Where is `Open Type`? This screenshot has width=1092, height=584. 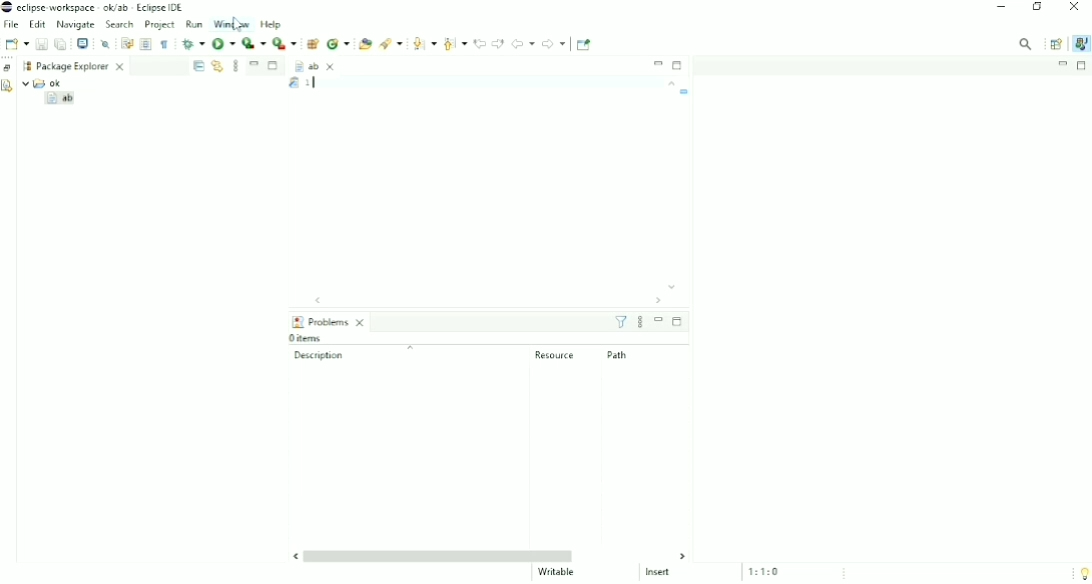 Open Type is located at coordinates (364, 43).